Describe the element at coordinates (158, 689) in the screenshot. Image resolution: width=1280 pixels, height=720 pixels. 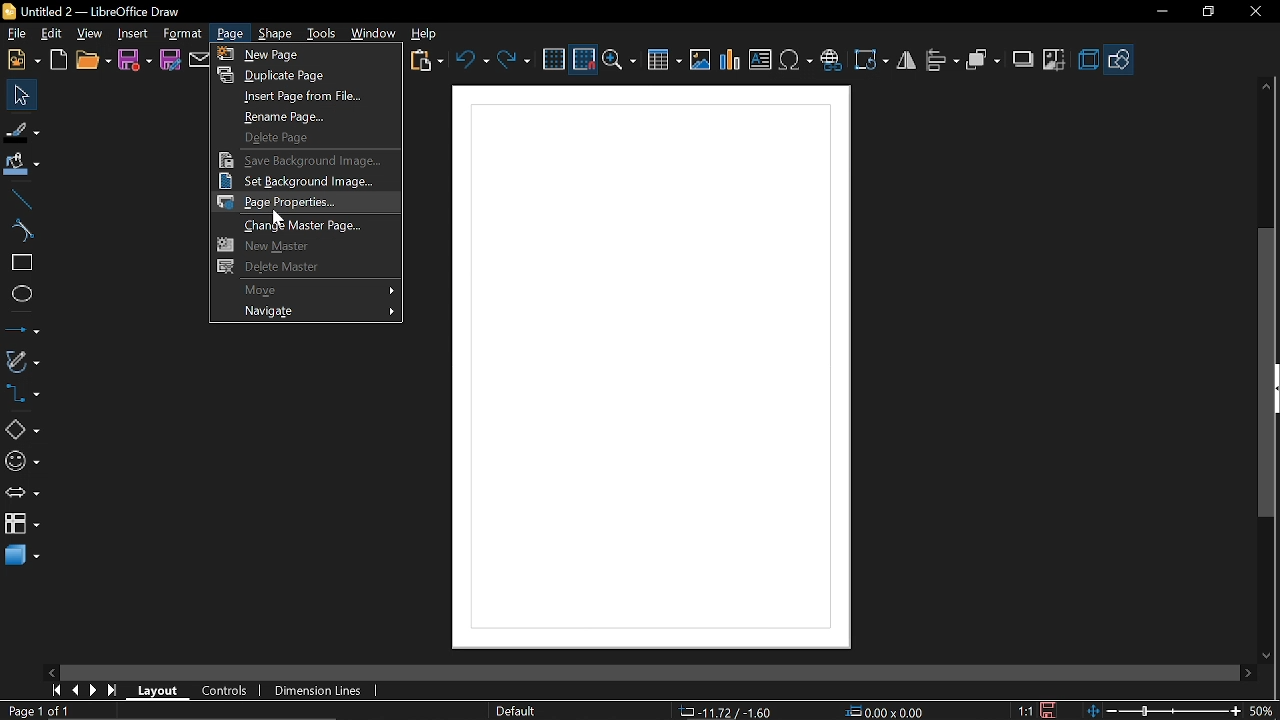
I see `Layout` at that location.